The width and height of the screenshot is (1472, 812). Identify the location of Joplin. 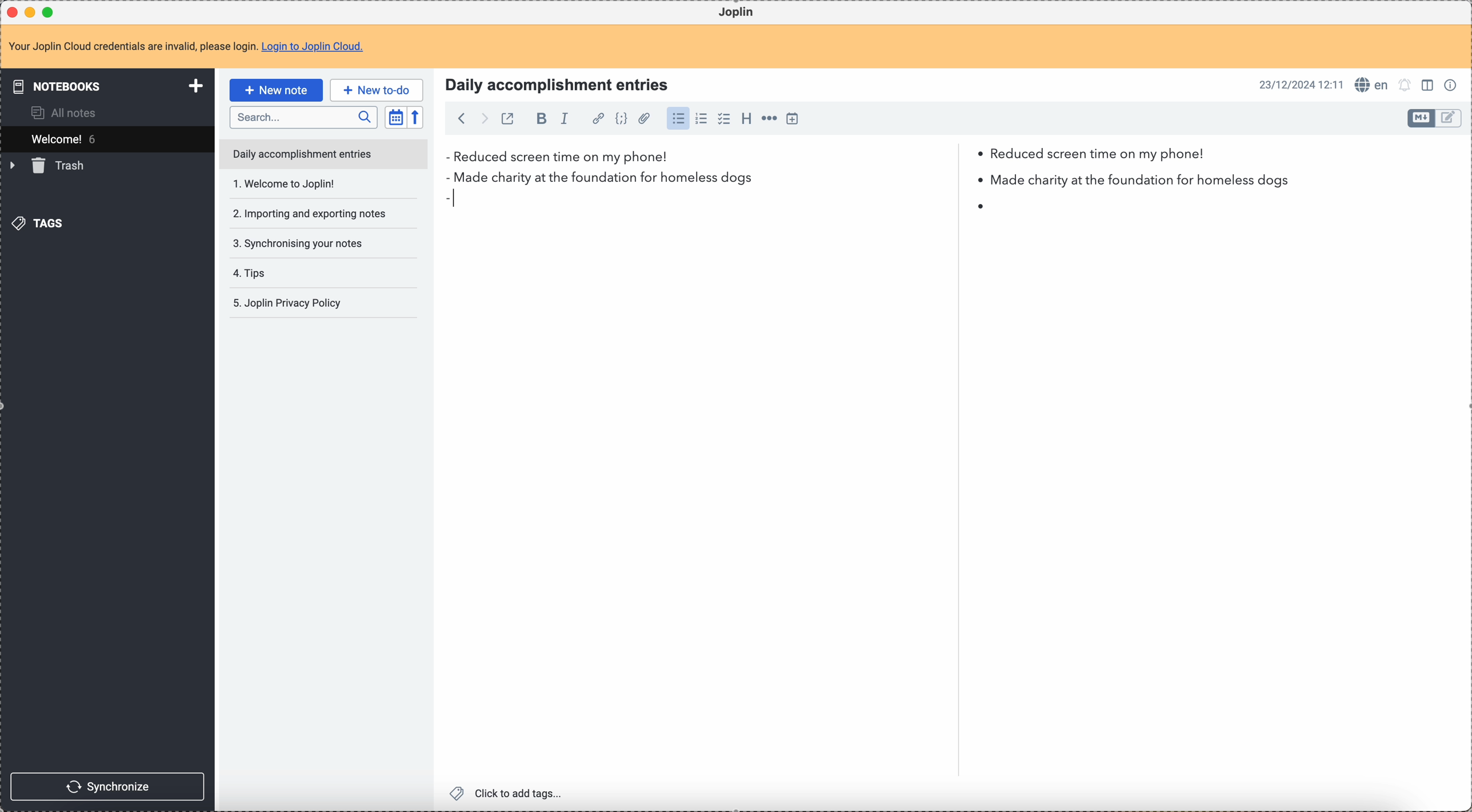
(738, 13).